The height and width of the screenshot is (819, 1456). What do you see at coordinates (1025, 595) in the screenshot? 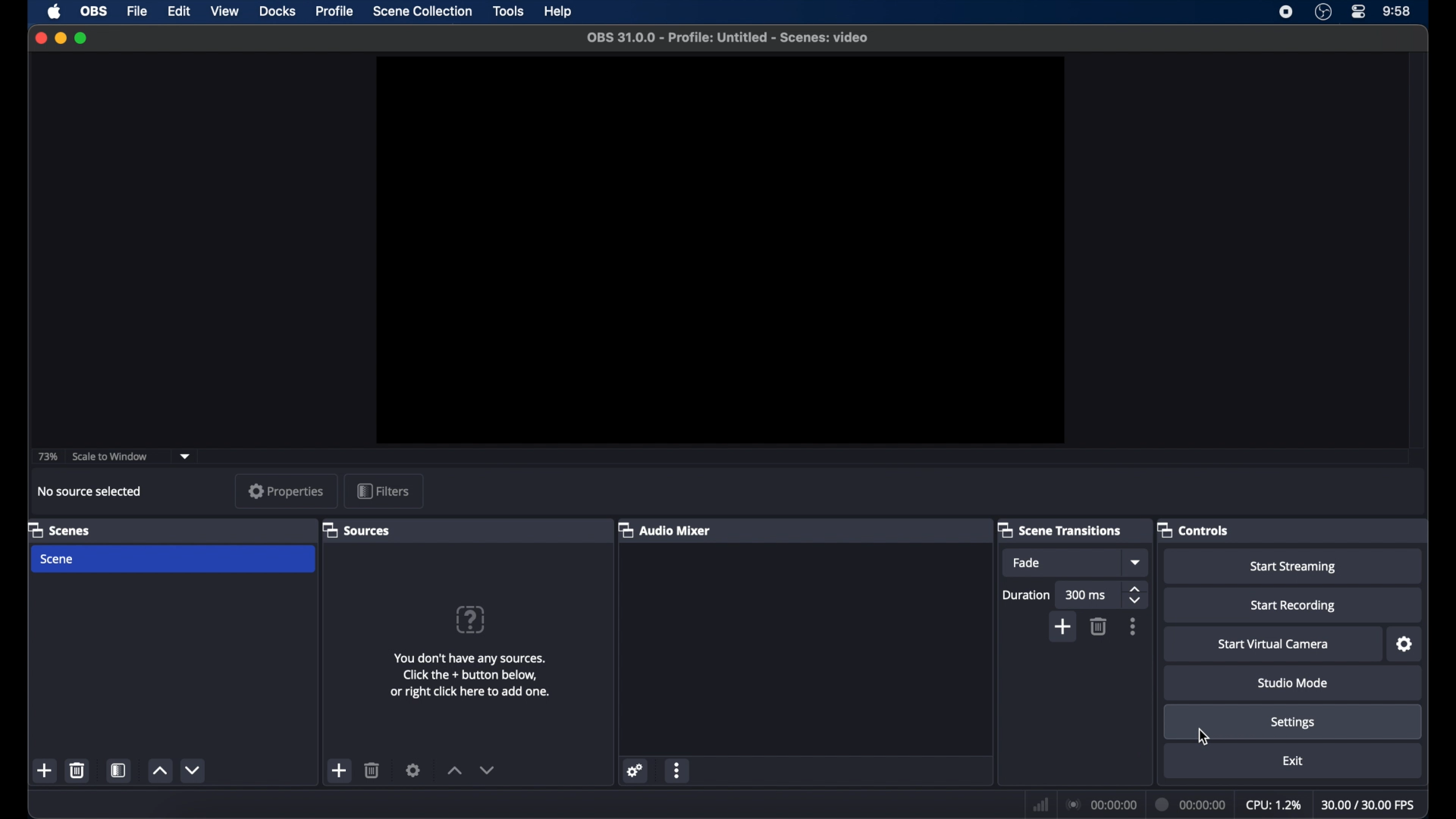
I see `duration` at bounding box center [1025, 595].